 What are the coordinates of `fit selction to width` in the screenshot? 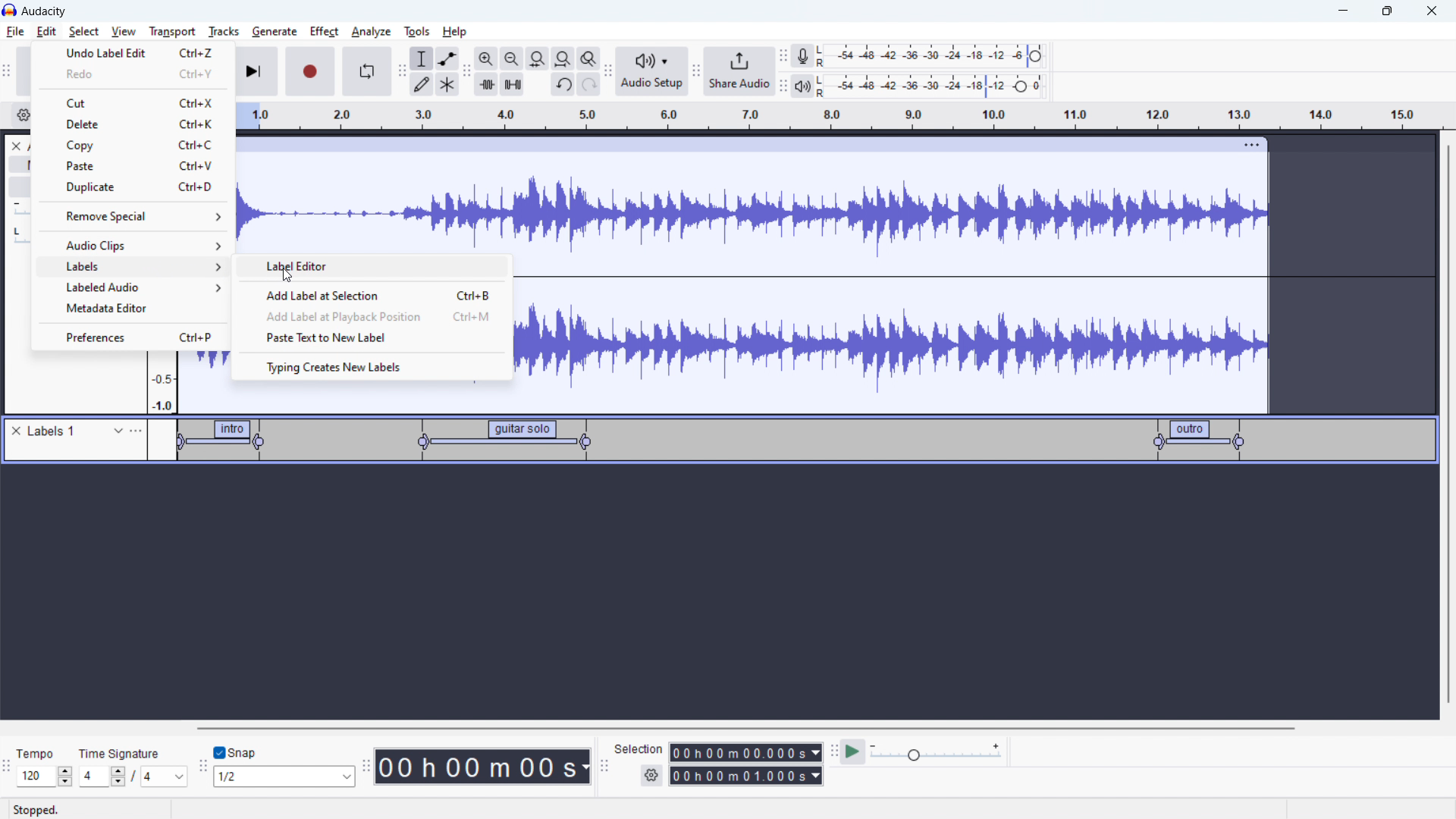 It's located at (538, 59).